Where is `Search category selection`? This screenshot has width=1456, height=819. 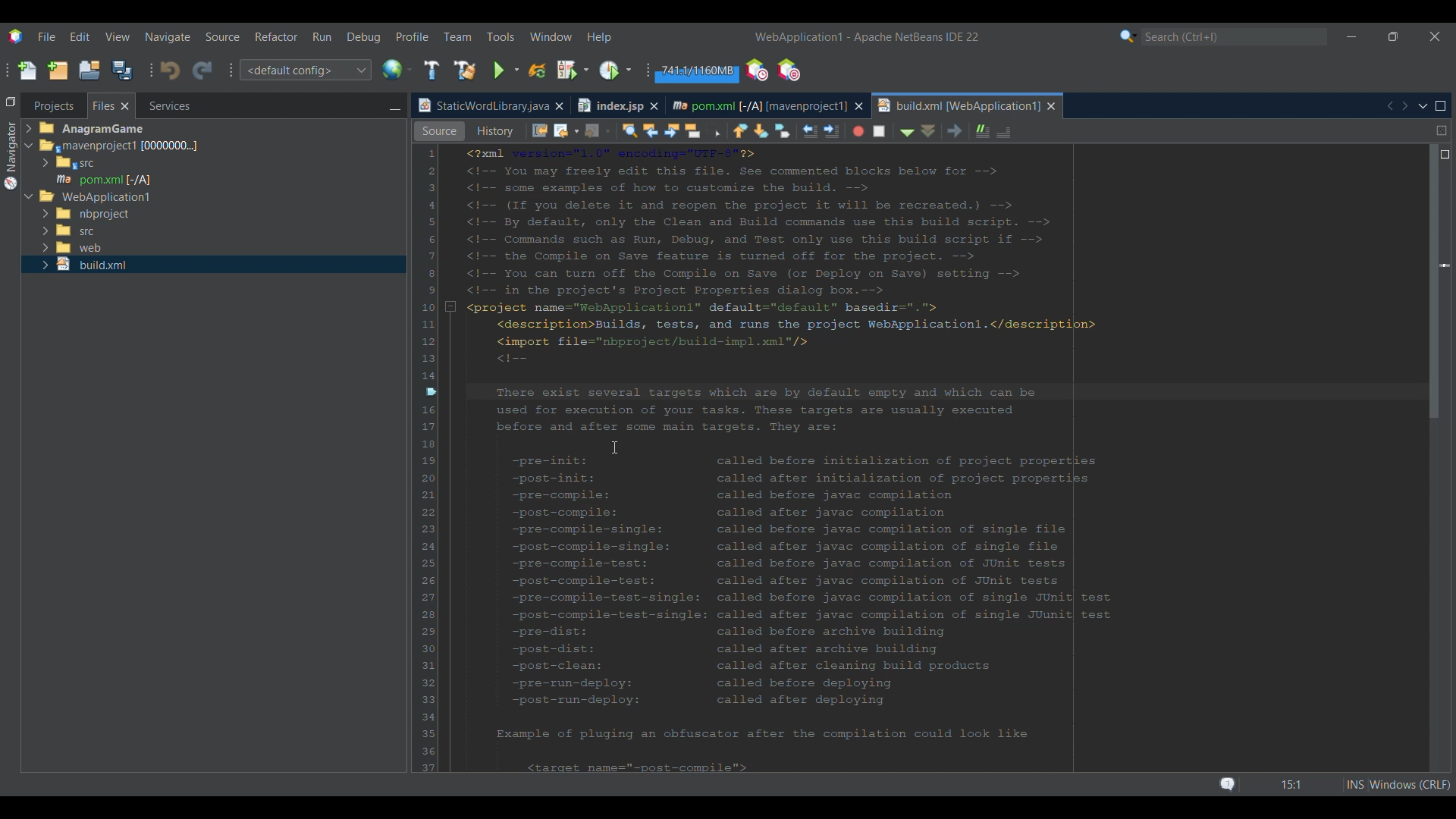 Search category selection is located at coordinates (1128, 36).